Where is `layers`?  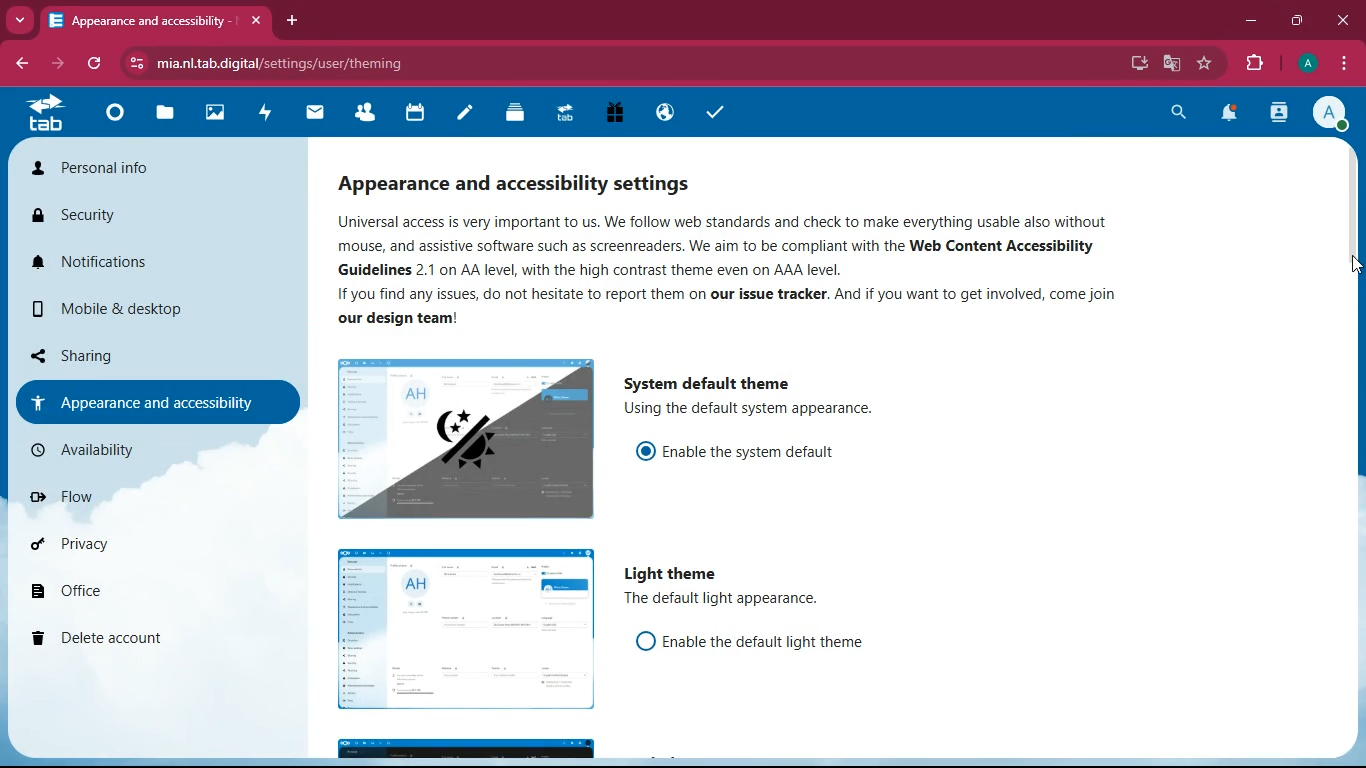 layers is located at coordinates (511, 115).